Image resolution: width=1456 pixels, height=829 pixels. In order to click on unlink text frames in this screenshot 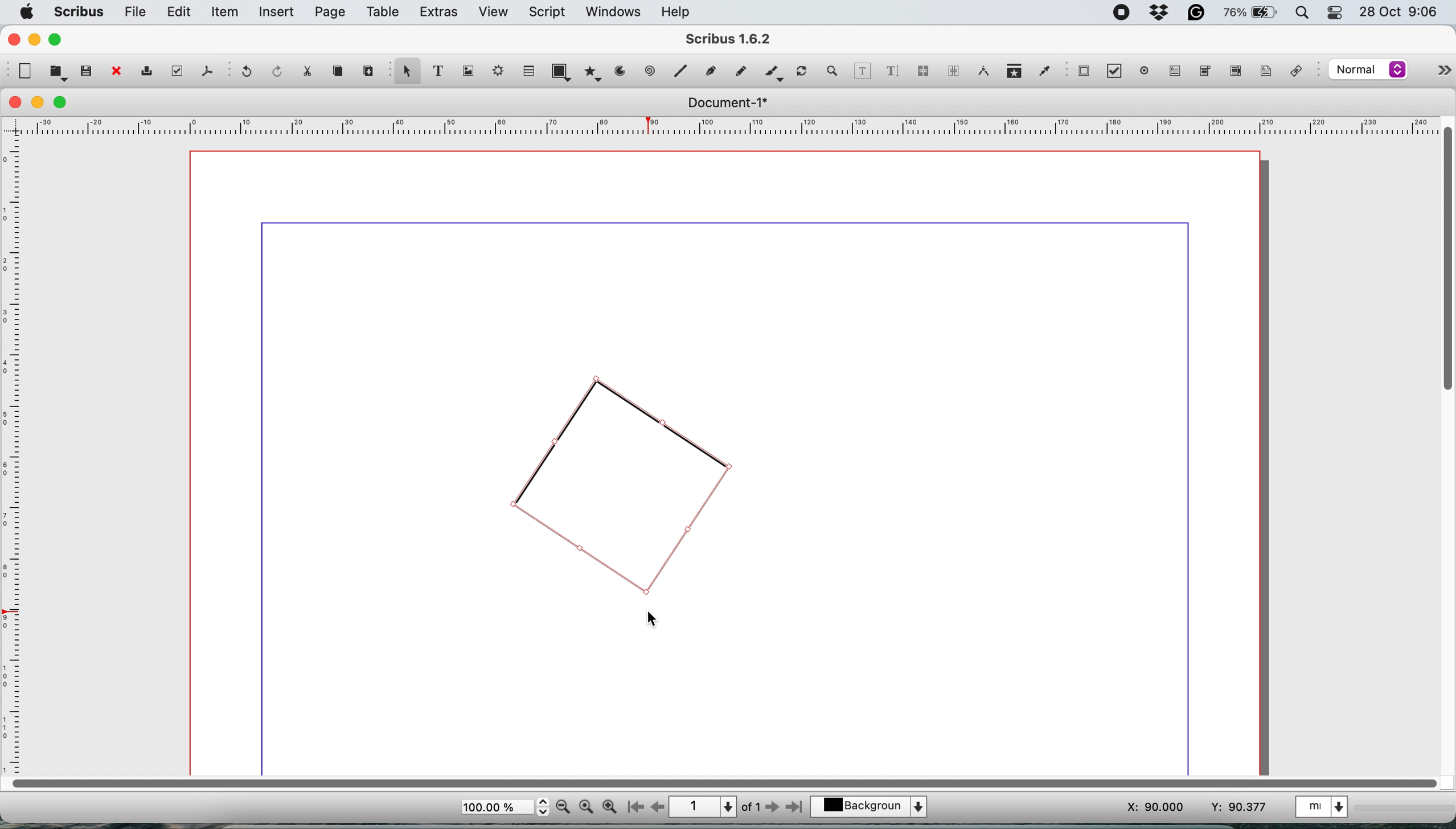, I will do `click(953, 72)`.